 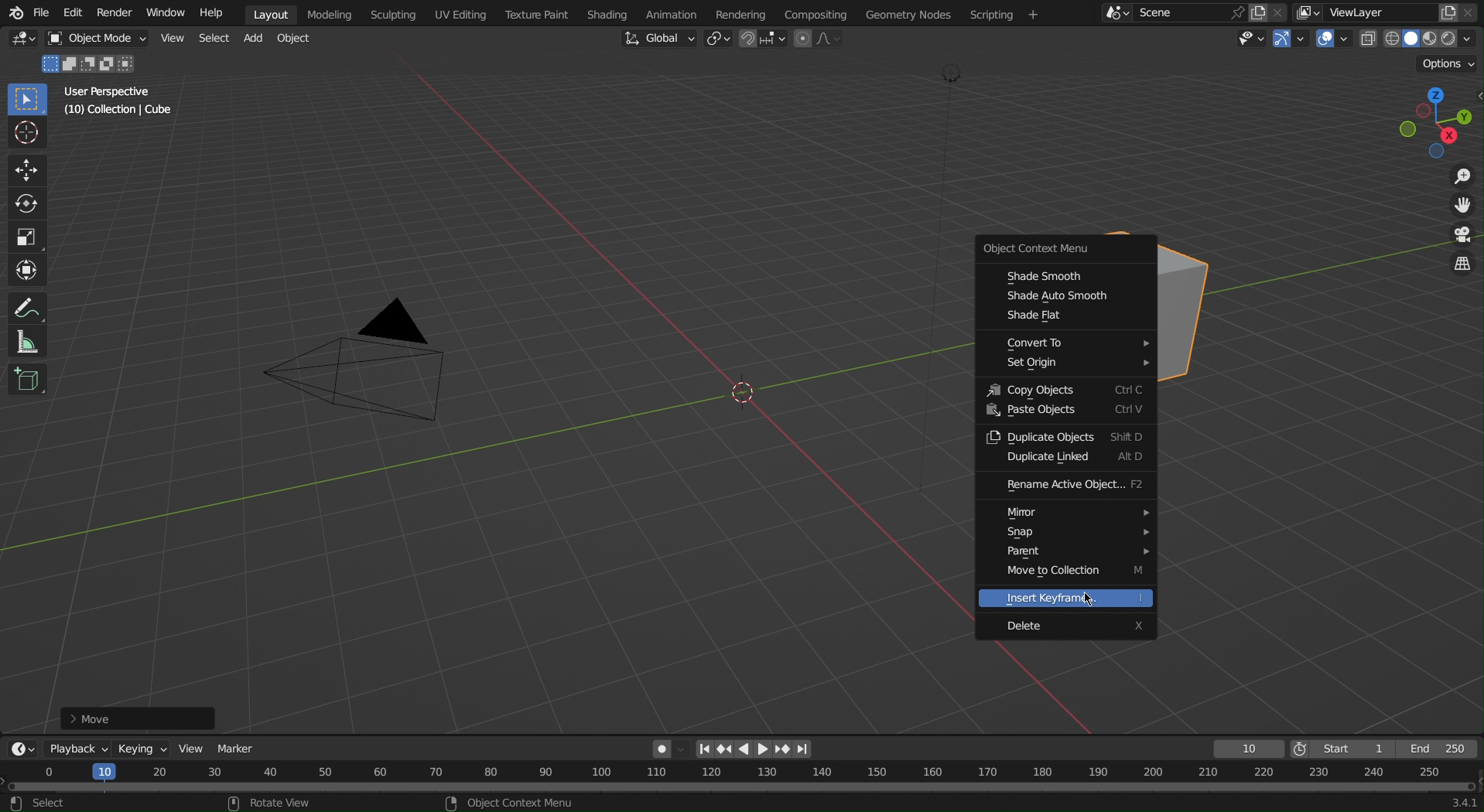 What do you see at coordinates (805, 750) in the screenshot?
I see `Last page` at bounding box center [805, 750].